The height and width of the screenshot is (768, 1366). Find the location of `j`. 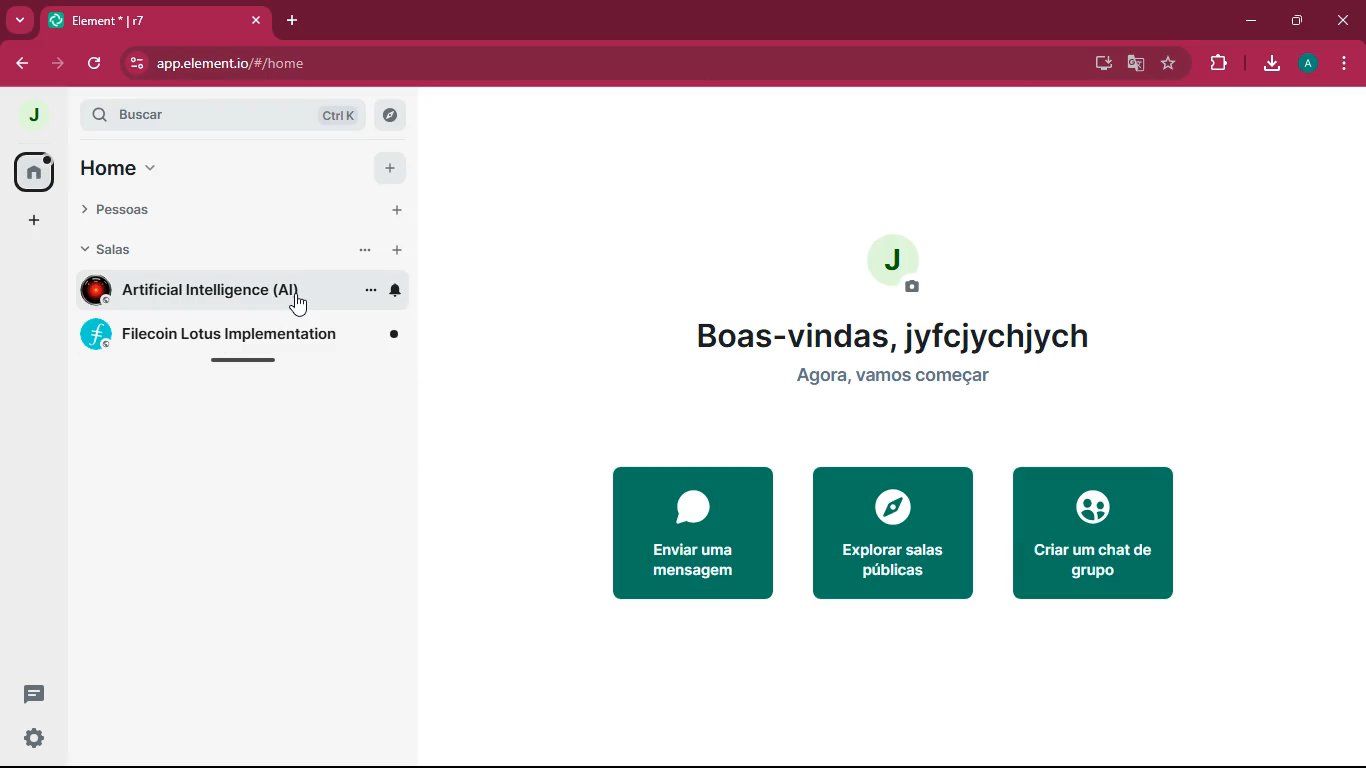

j is located at coordinates (900, 266).